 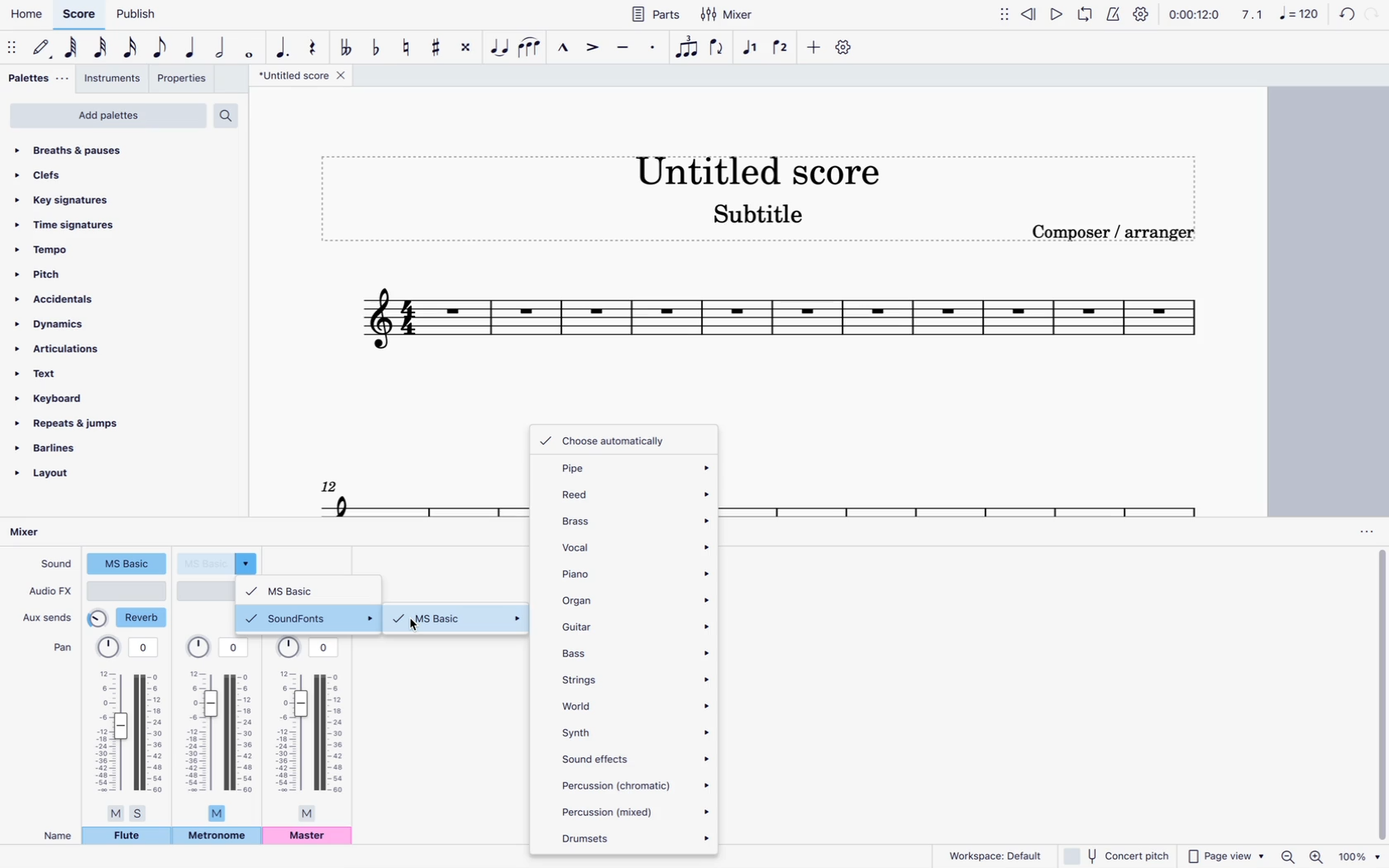 What do you see at coordinates (60, 648) in the screenshot?
I see `pan` at bounding box center [60, 648].